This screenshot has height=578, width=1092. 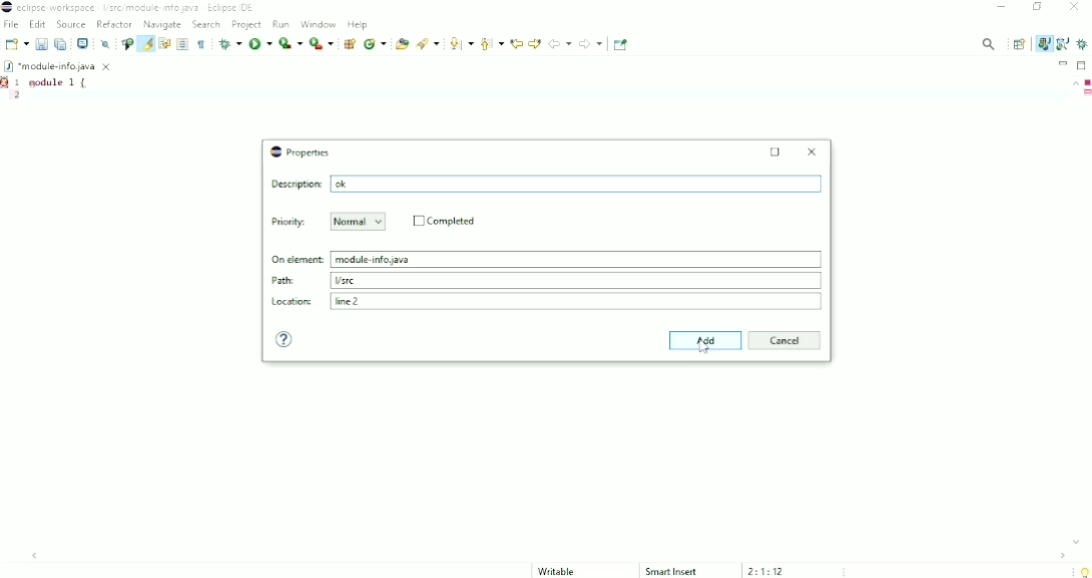 I want to click on Toggle block selection mode, so click(x=183, y=44).